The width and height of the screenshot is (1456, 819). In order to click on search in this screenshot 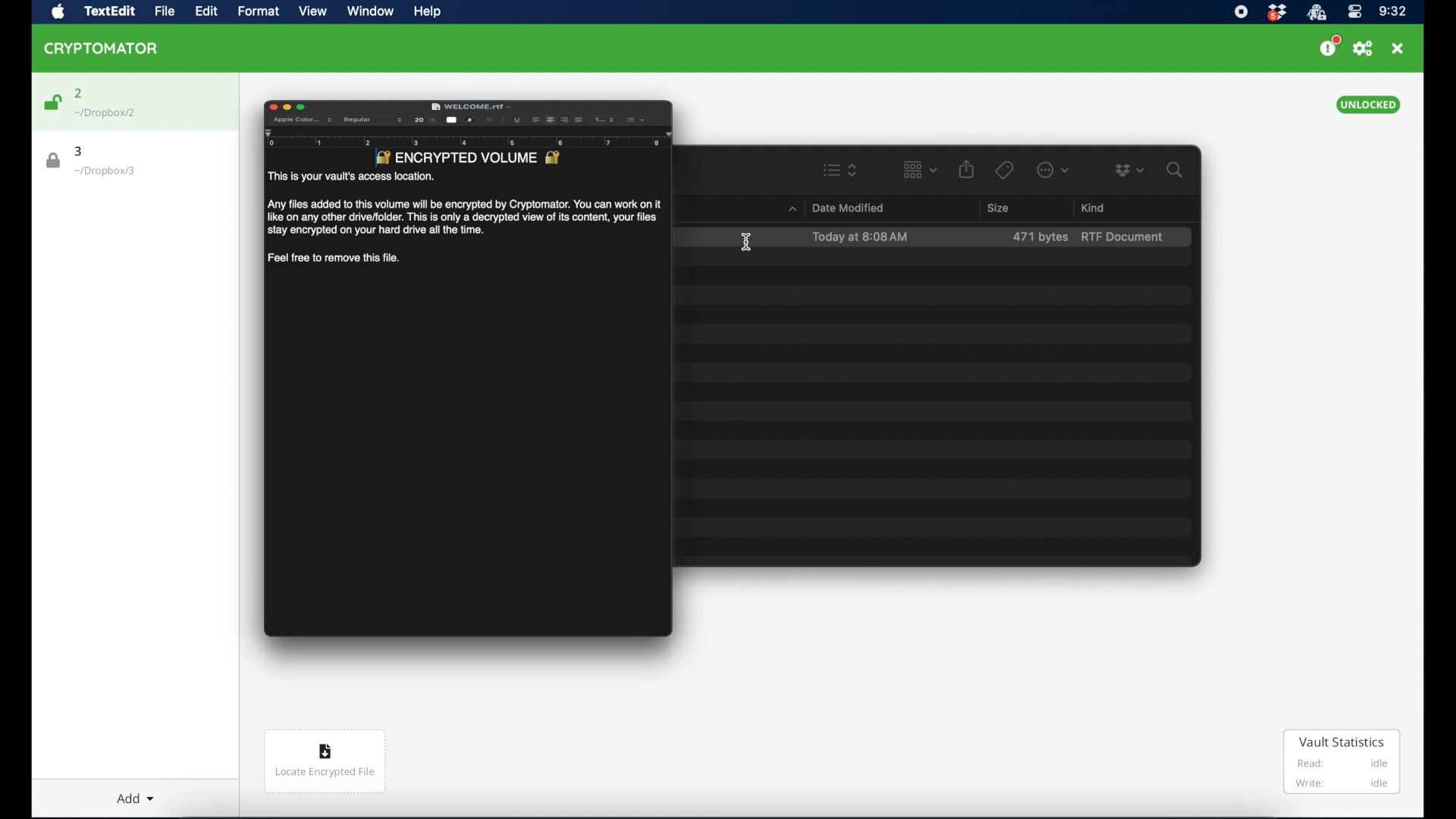, I will do `click(1175, 171)`.